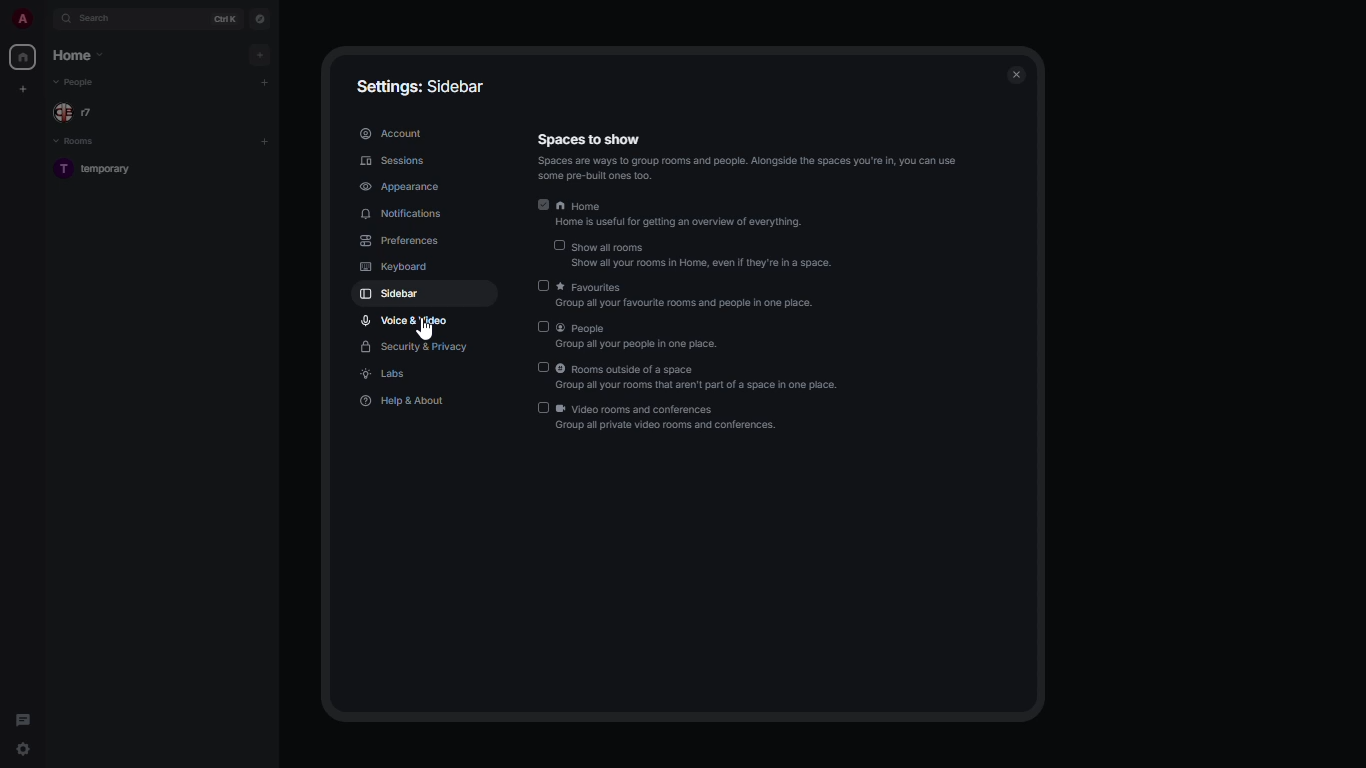 This screenshot has height=768, width=1366. What do you see at coordinates (404, 322) in the screenshot?
I see `voice & video` at bounding box center [404, 322].